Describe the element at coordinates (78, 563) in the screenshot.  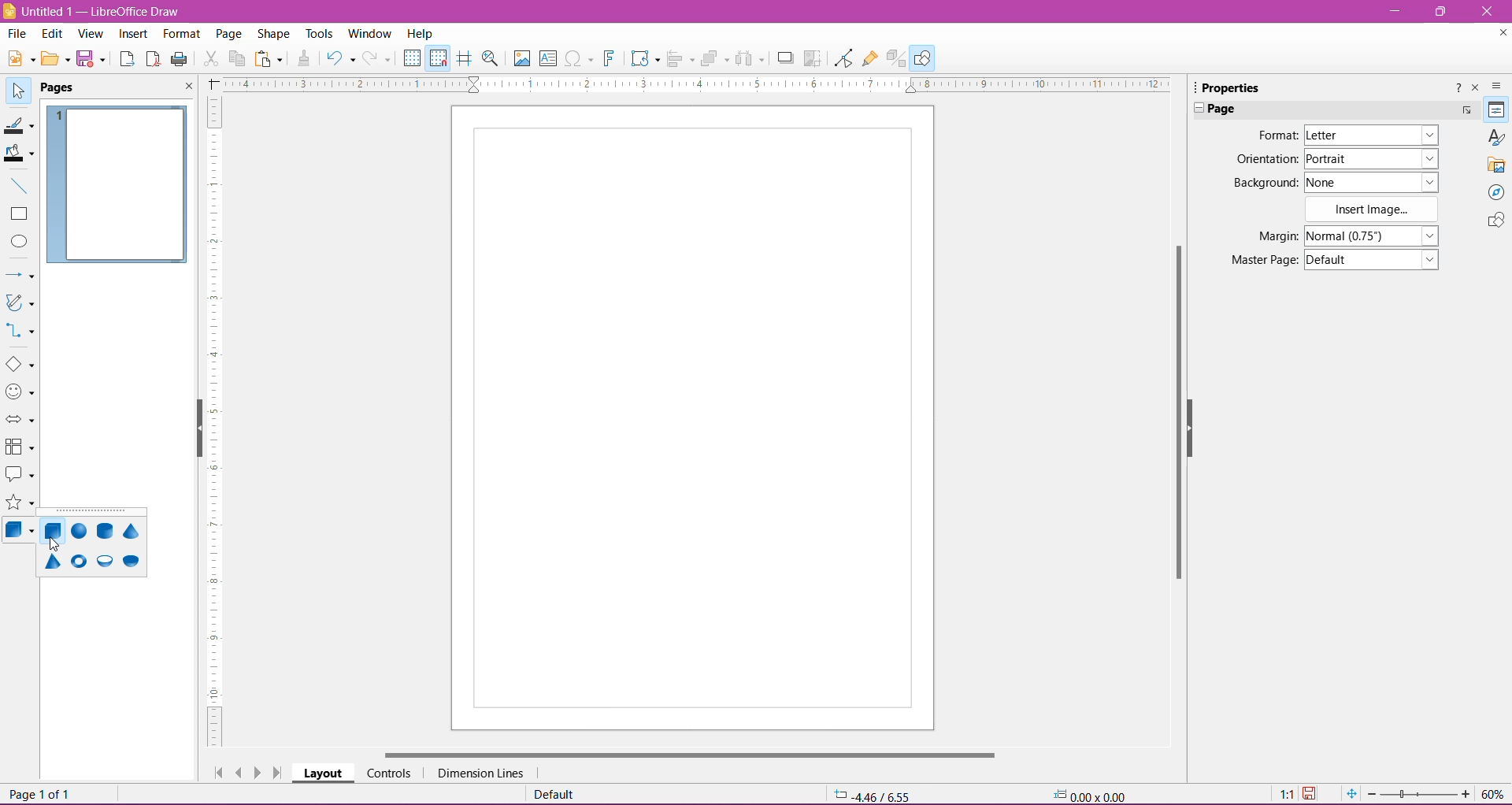
I see `Torus` at that location.